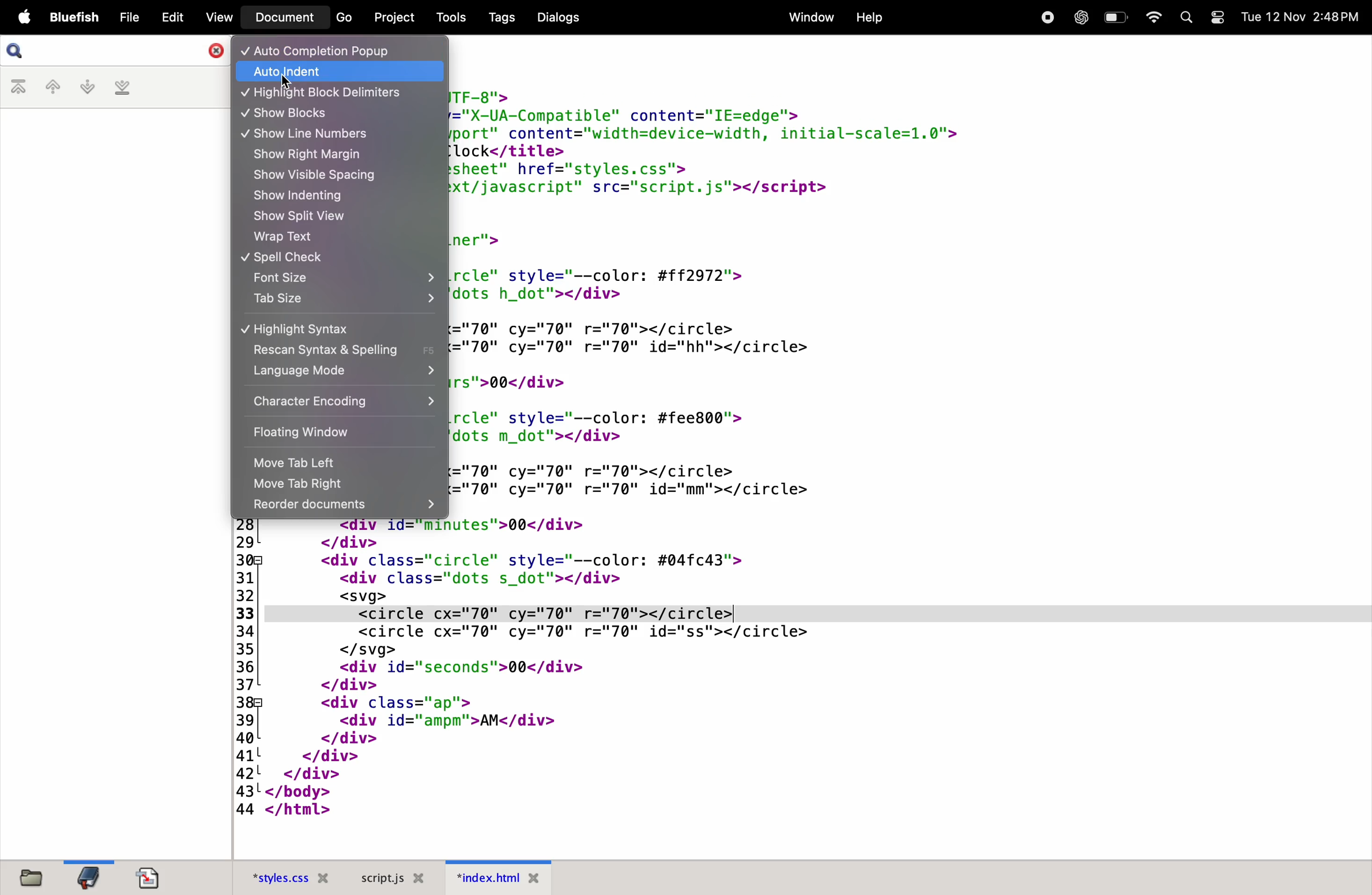 The image size is (1372, 895). Describe the element at coordinates (91, 877) in the screenshot. I see `bookmark` at that location.